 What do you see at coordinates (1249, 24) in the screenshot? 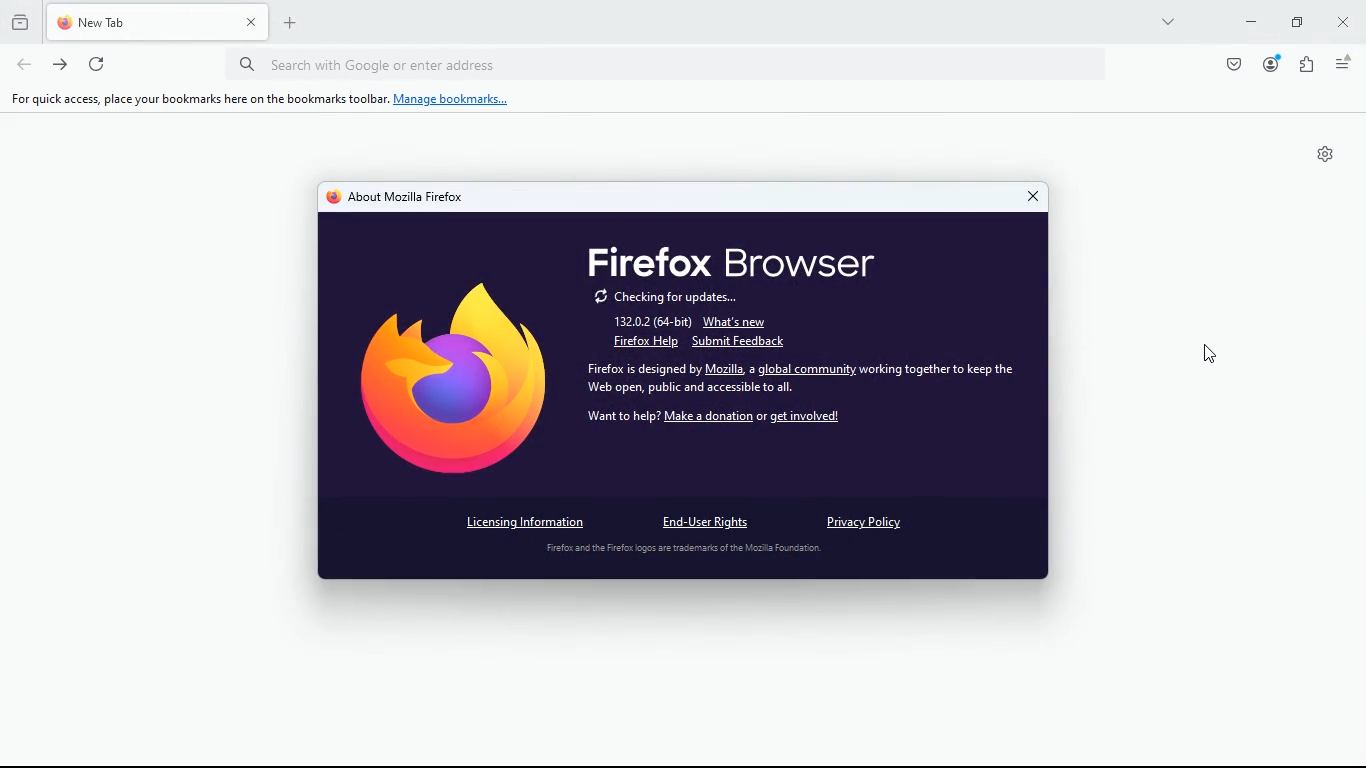
I see `minimize` at bounding box center [1249, 24].